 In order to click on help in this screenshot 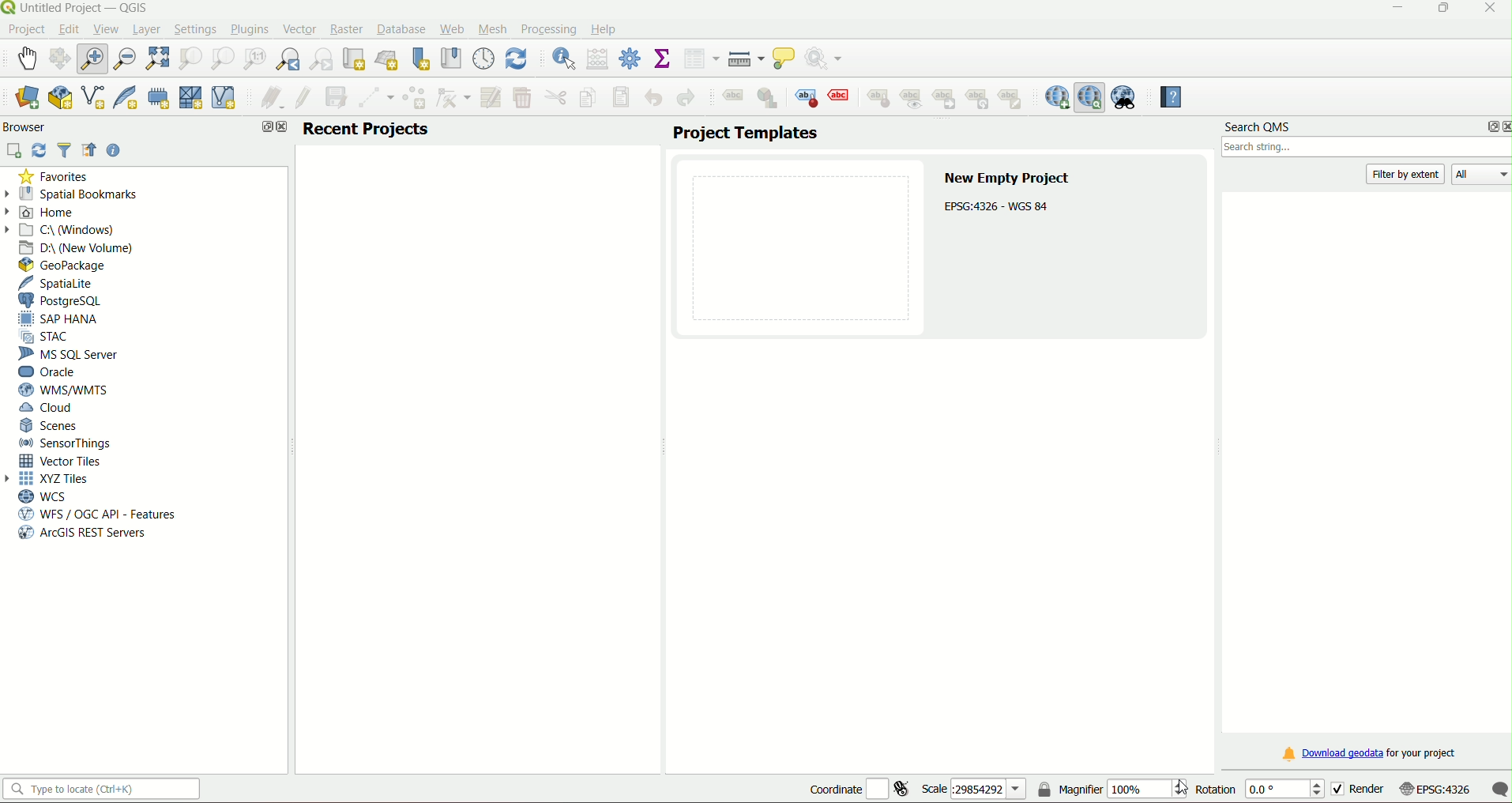, I will do `click(605, 29)`.